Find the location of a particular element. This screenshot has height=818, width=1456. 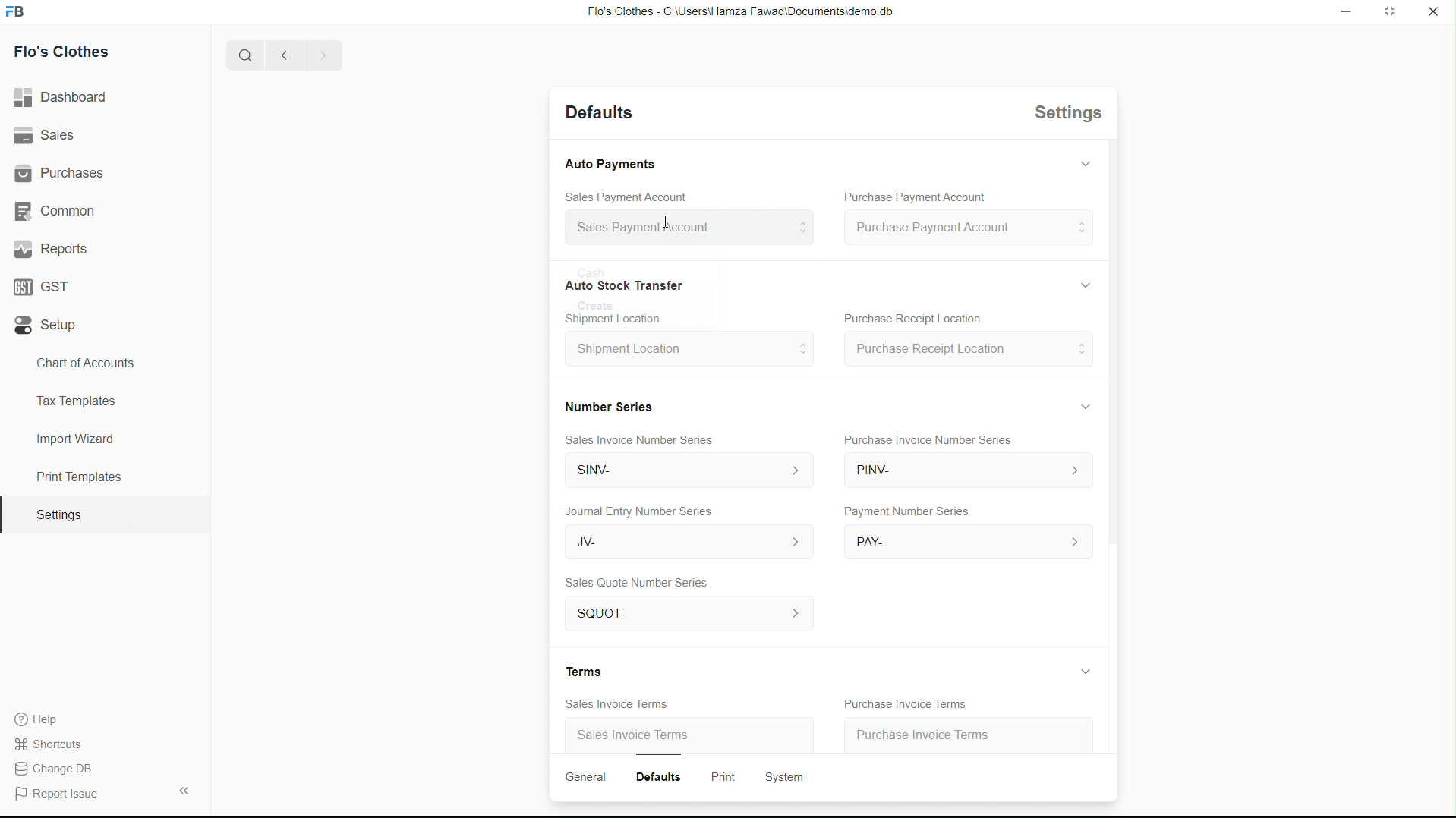

Chart of Accounts is located at coordinates (81, 363).